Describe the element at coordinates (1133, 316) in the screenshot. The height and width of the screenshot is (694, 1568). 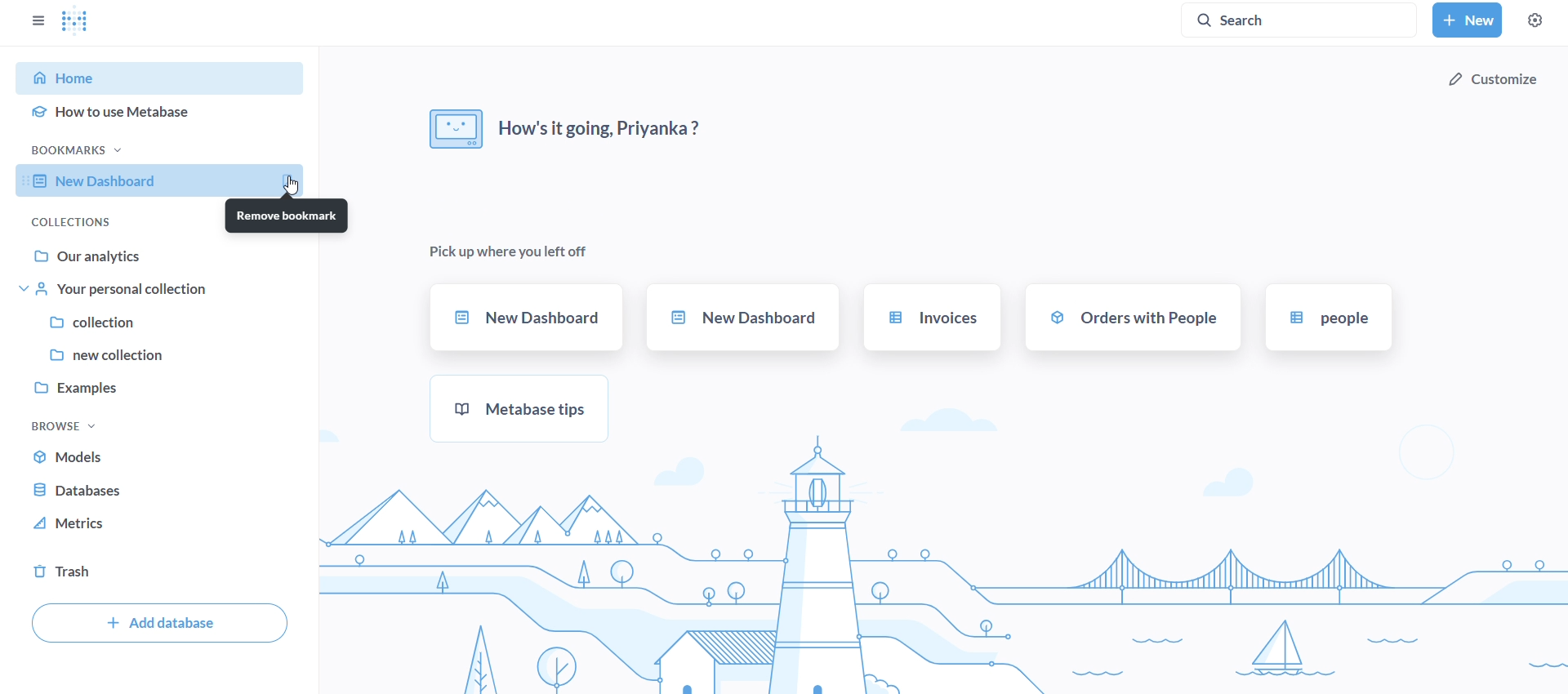
I see `orders with people` at that location.